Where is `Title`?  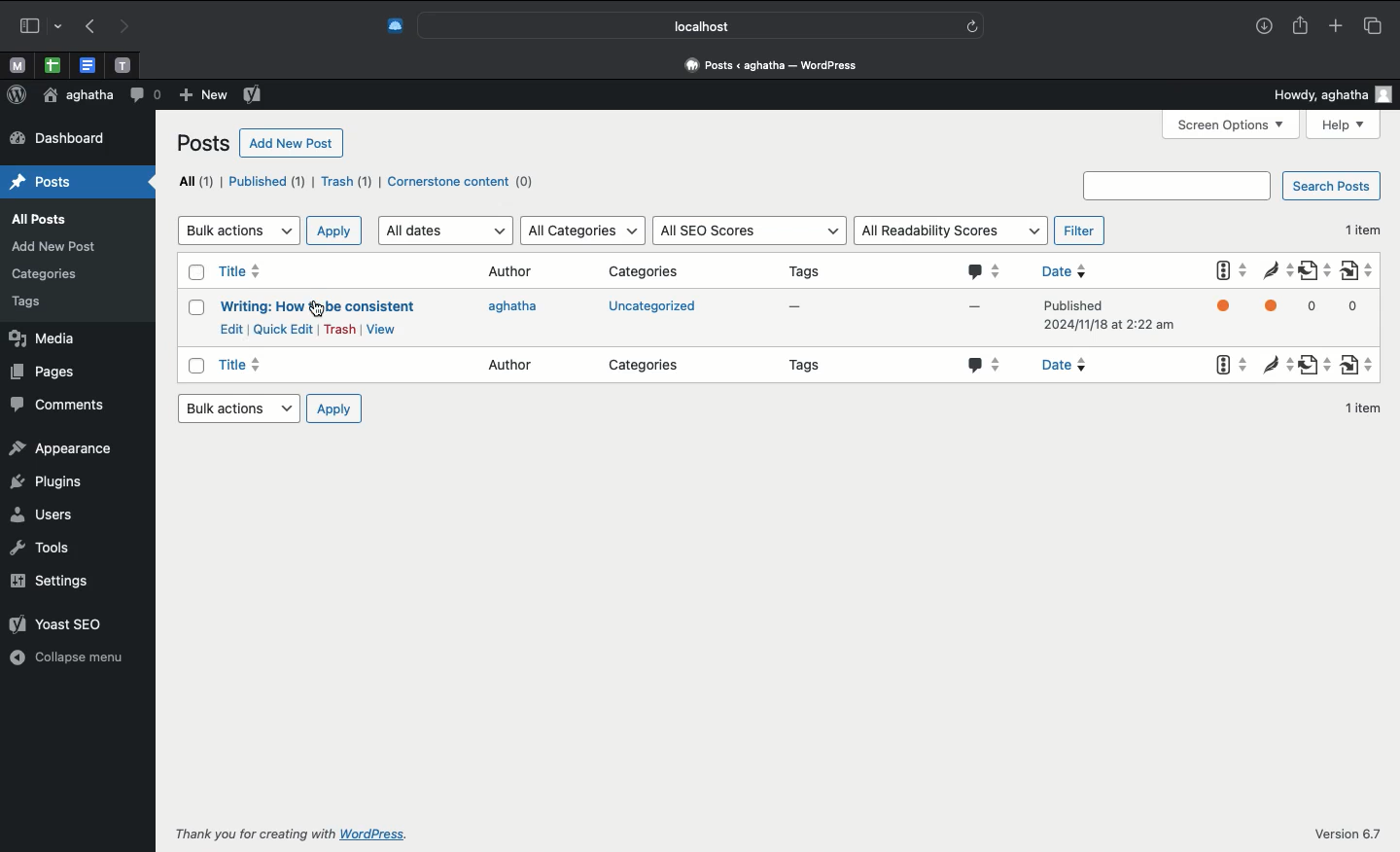
Title is located at coordinates (251, 272).